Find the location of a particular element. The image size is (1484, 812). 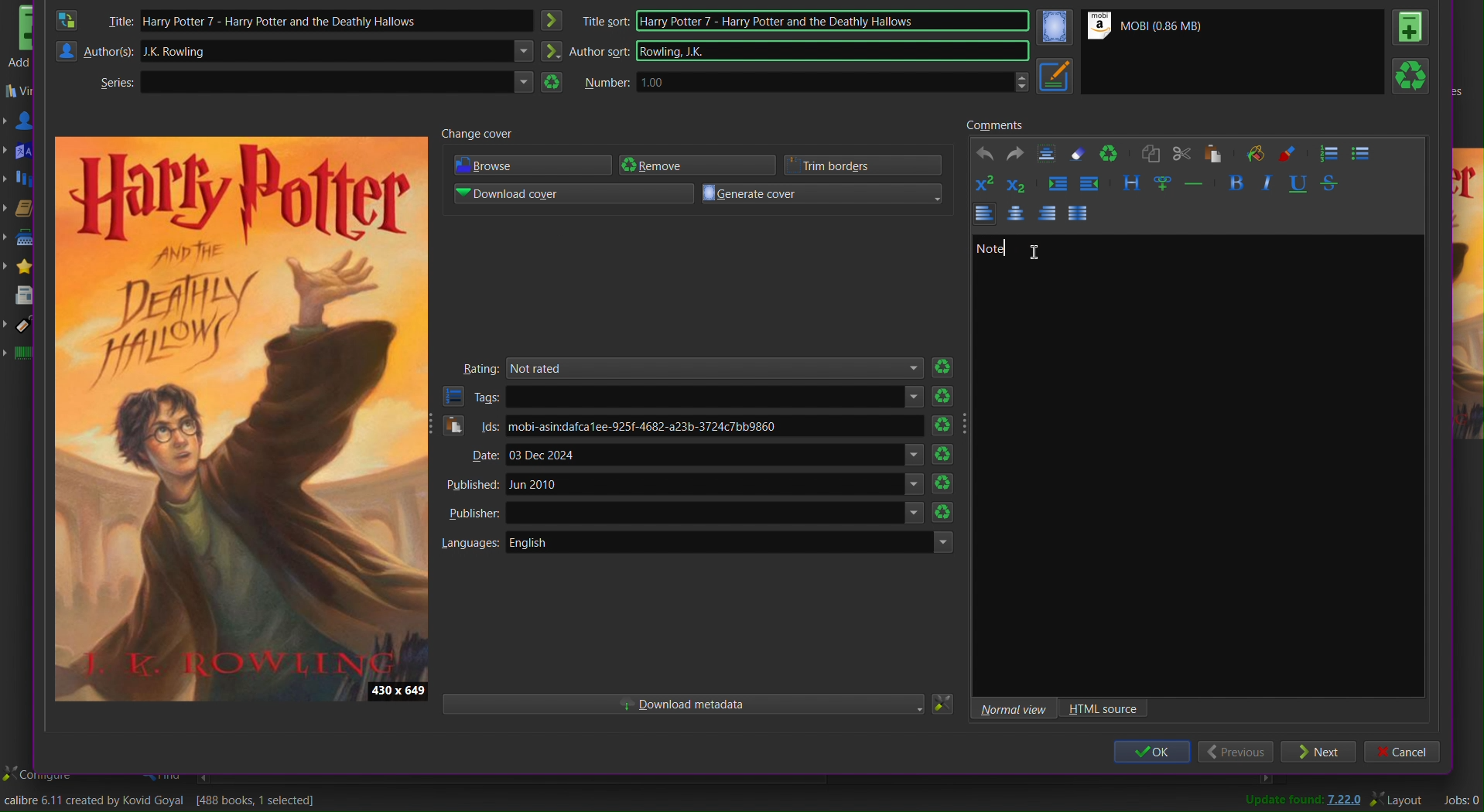

Update is located at coordinates (1301, 800).